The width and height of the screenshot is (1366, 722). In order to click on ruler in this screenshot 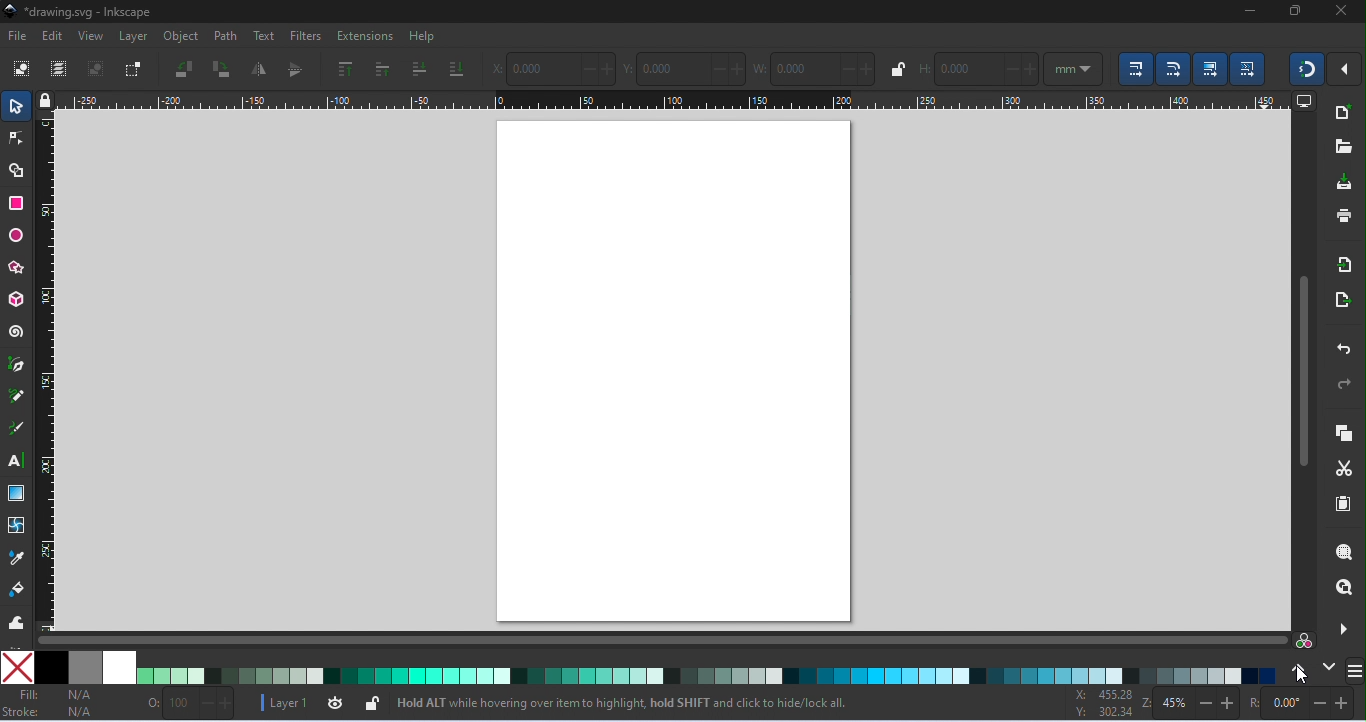, I will do `click(677, 101)`.